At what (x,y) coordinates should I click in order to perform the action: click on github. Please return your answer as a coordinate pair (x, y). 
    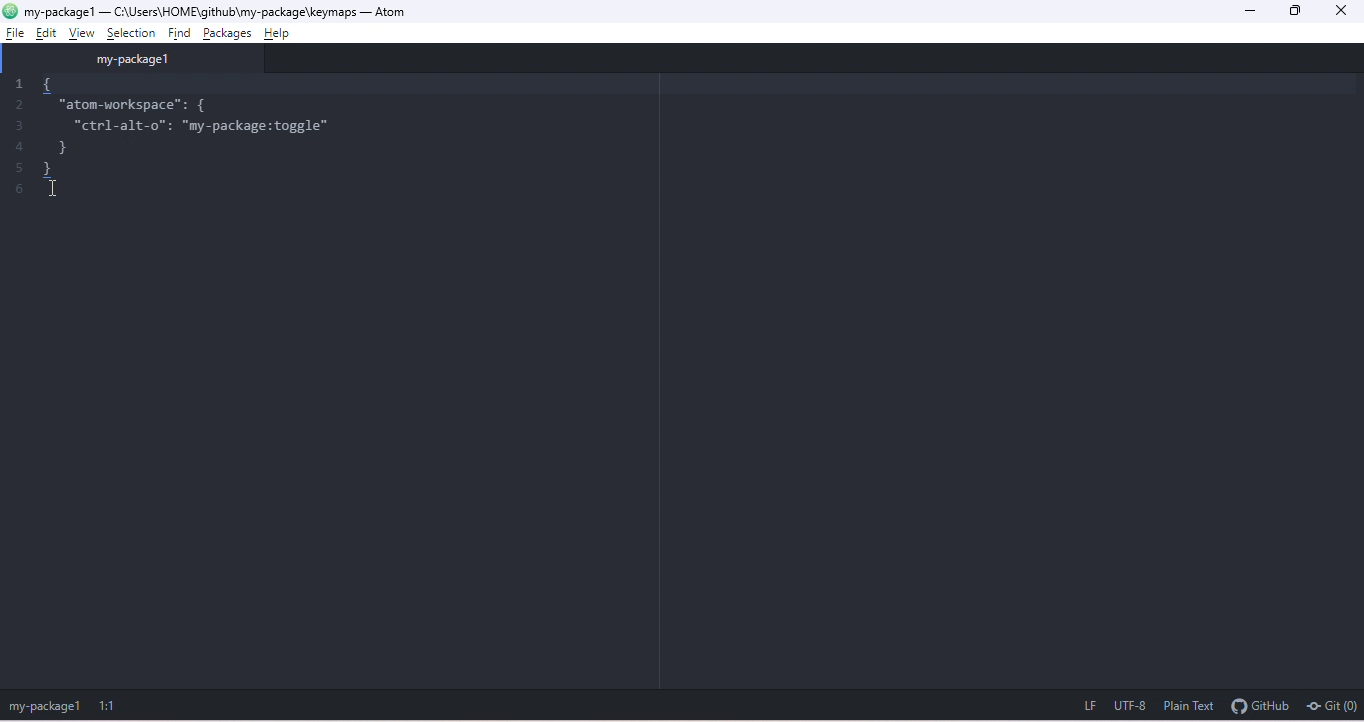
    Looking at the image, I should click on (1259, 704).